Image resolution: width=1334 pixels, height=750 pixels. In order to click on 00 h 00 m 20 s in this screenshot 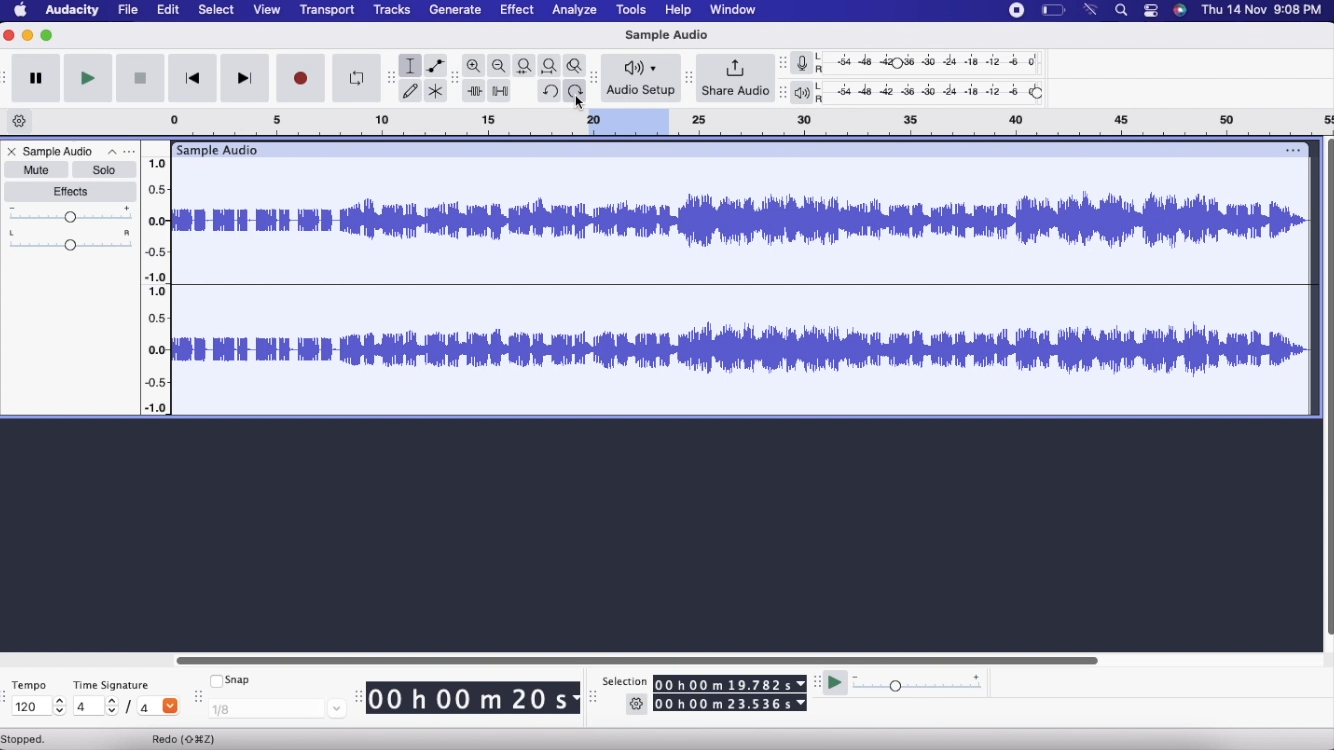, I will do `click(474, 699)`.